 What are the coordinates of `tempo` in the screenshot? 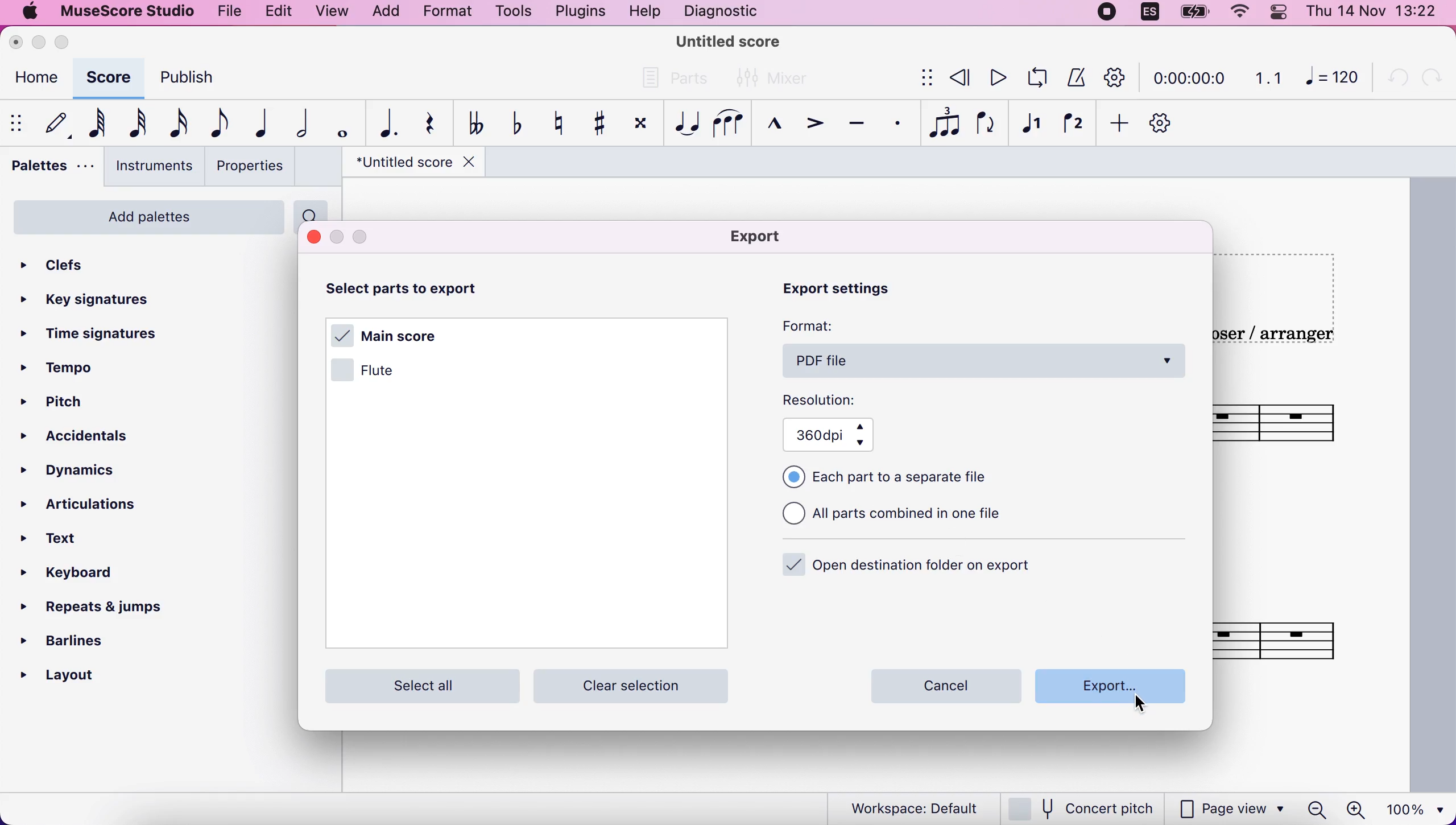 It's located at (76, 366).